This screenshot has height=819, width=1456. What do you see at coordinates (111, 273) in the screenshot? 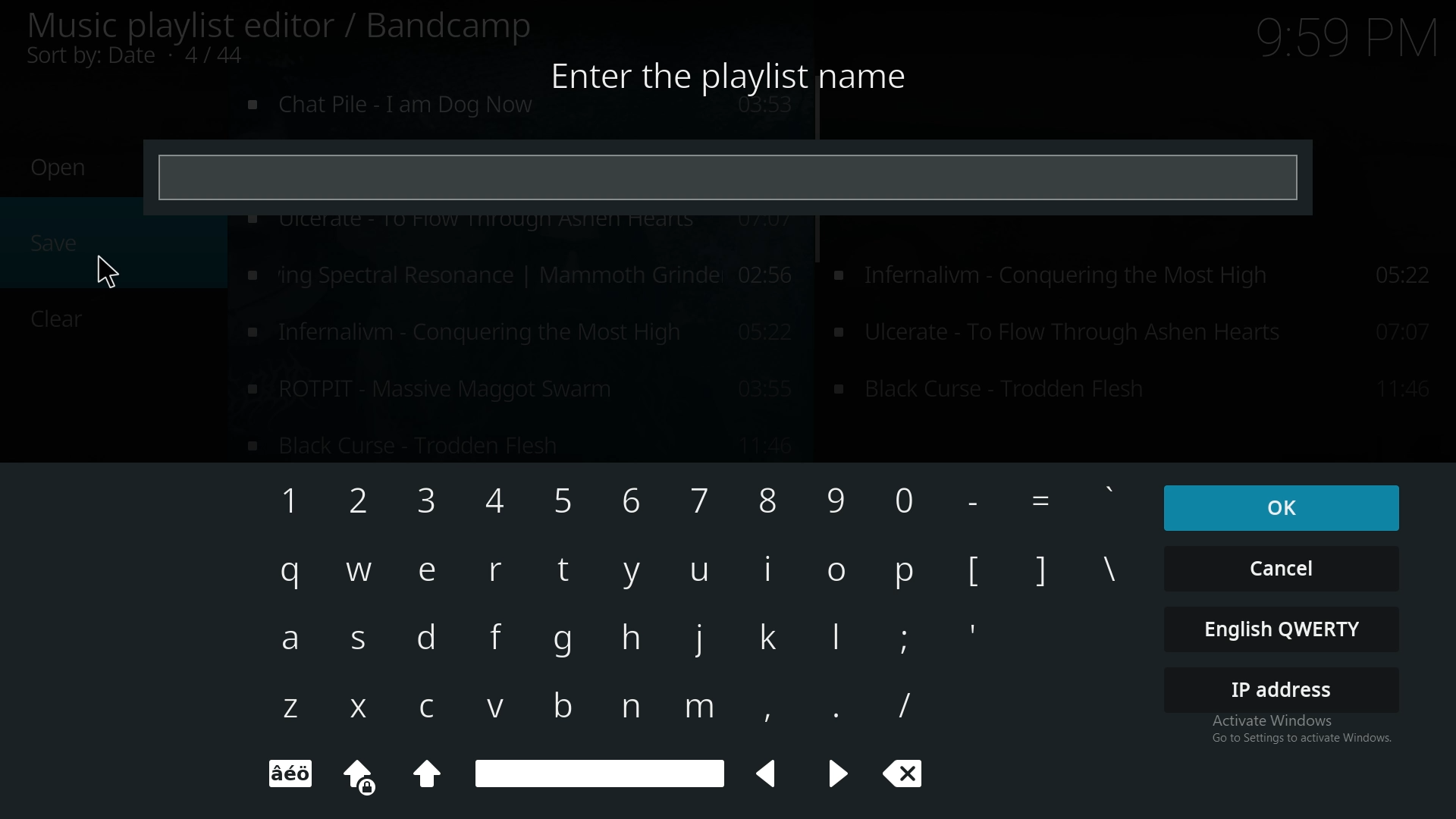
I see `pointer cursor` at bounding box center [111, 273].